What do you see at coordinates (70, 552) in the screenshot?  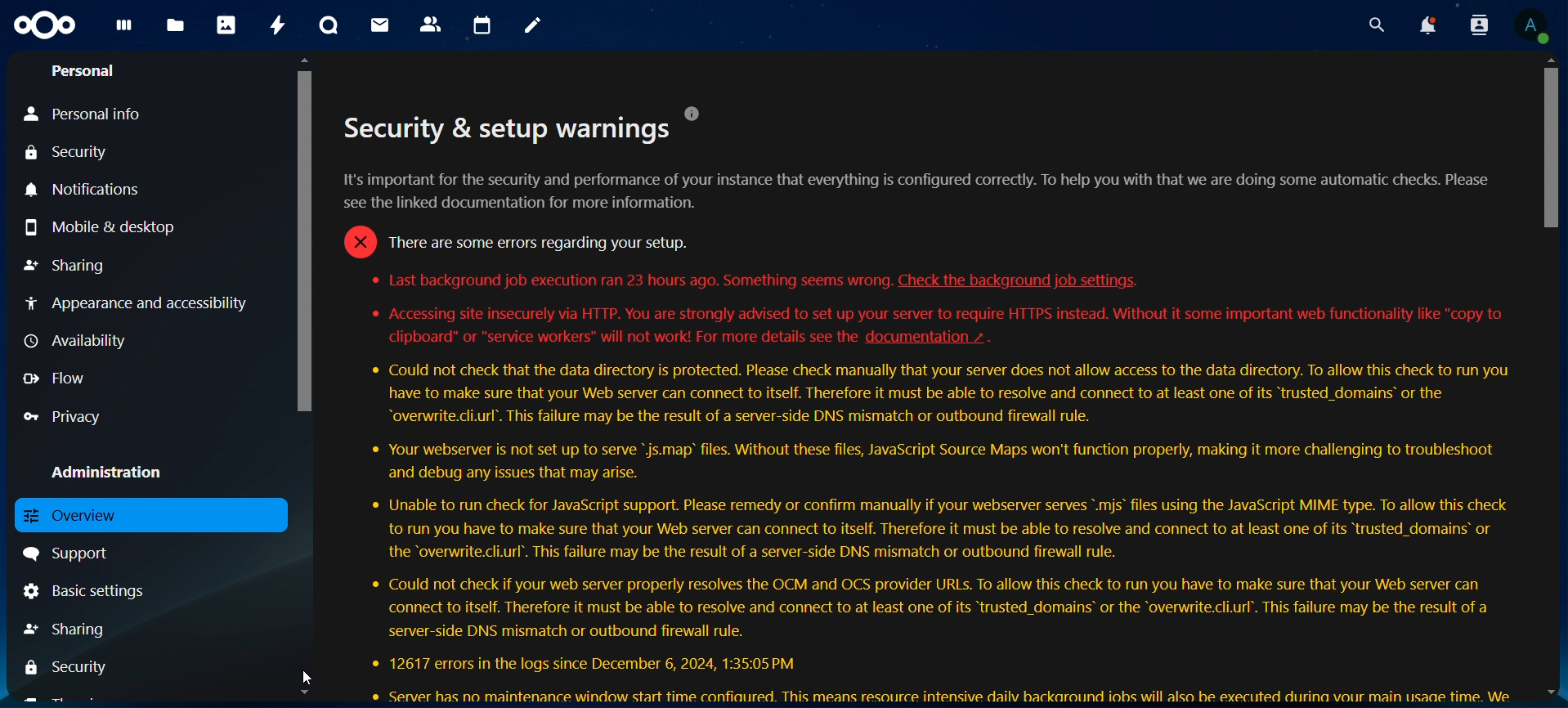 I see `support` at bounding box center [70, 552].